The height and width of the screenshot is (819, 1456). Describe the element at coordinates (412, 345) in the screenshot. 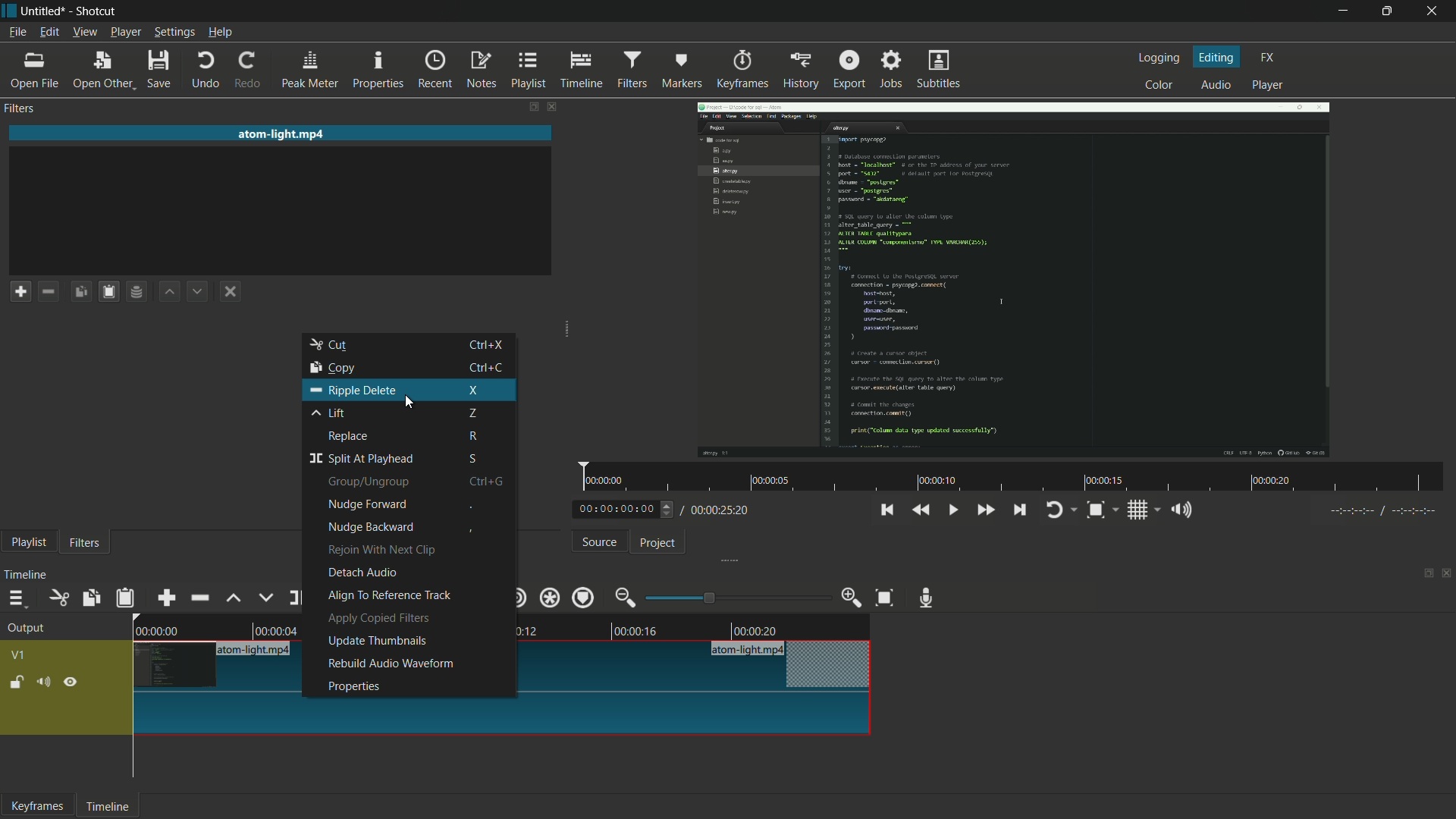

I see `cut` at that location.